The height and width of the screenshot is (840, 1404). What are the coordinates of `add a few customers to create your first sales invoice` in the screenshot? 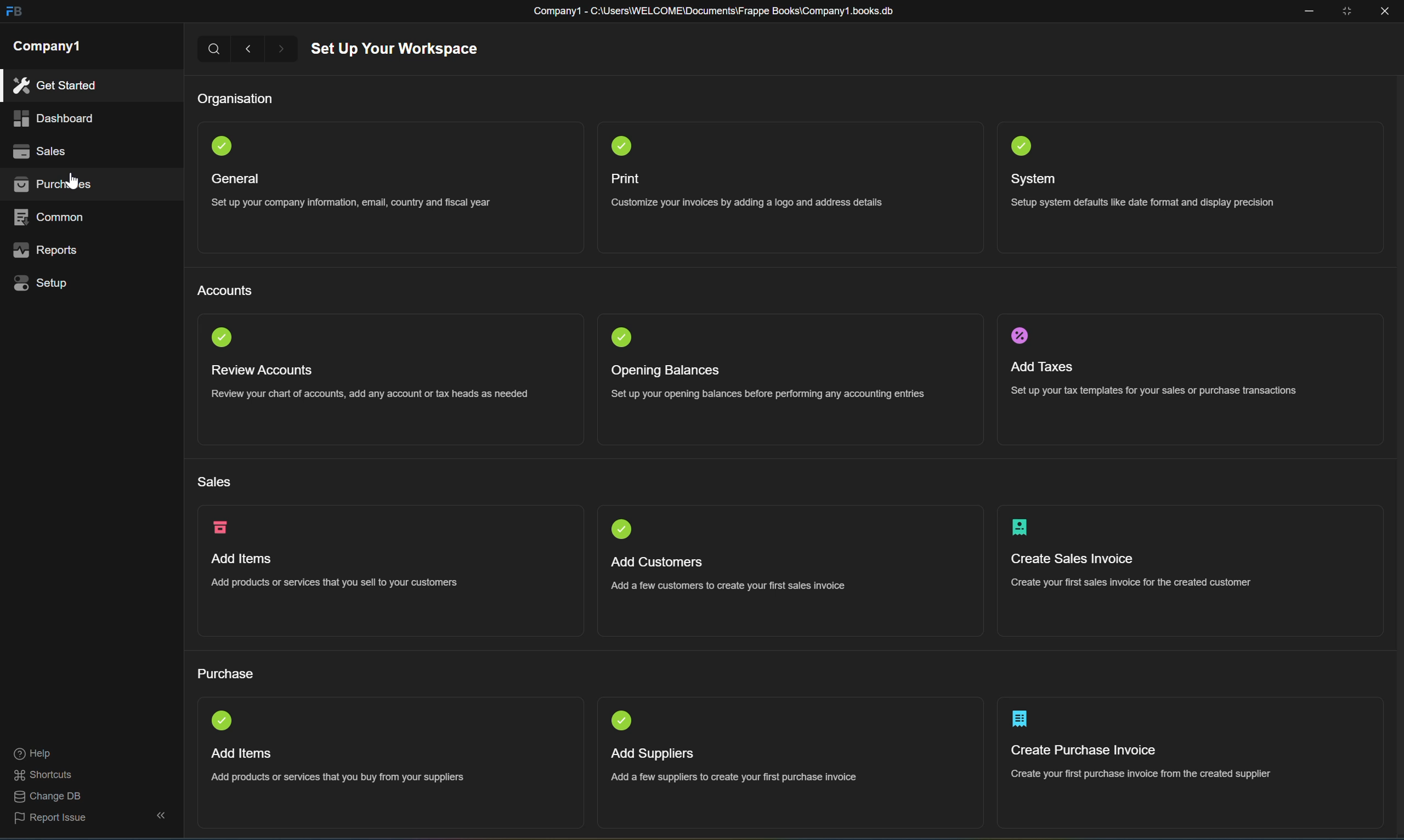 It's located at (729, 585).